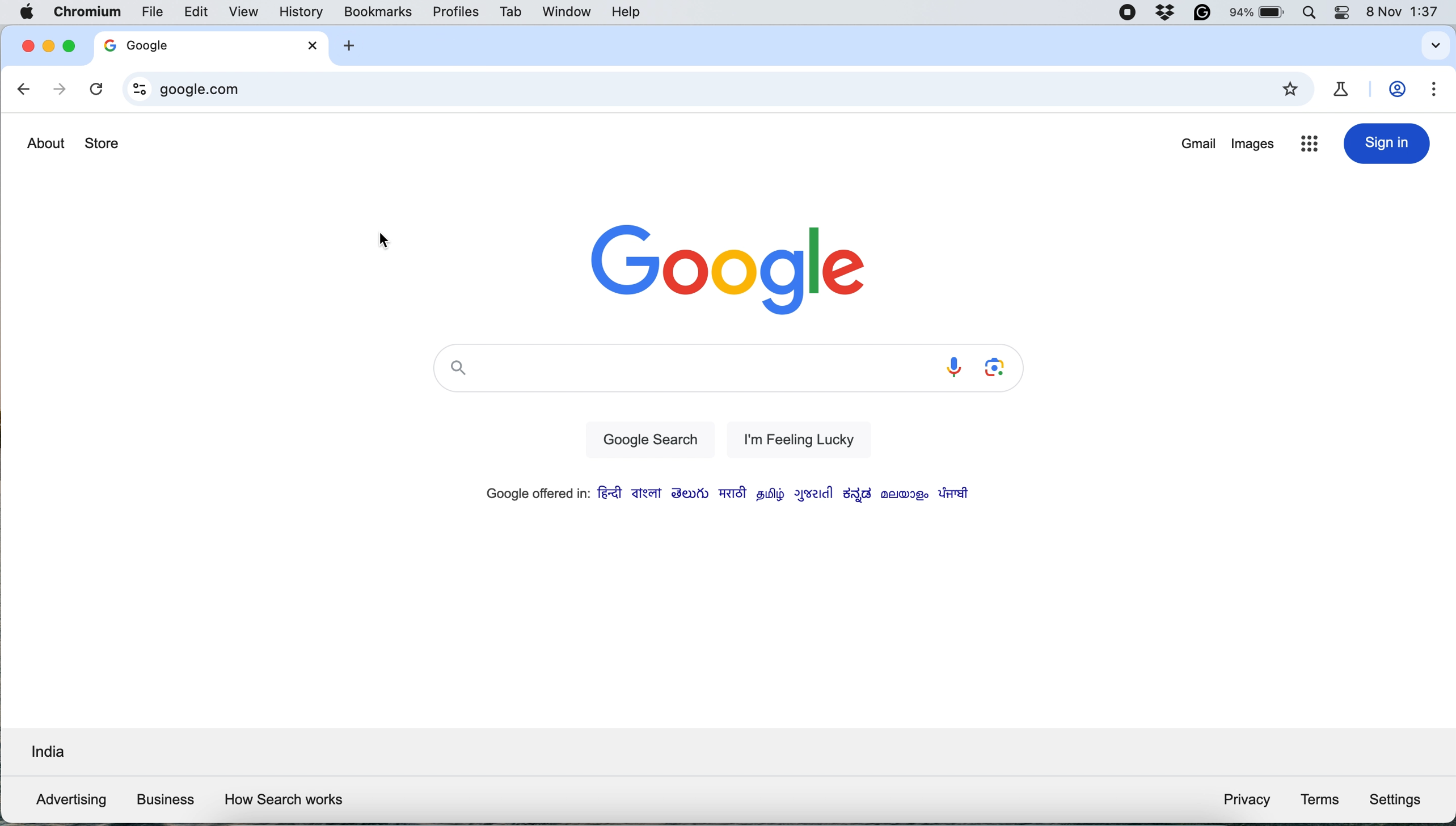 The image size is (1456, 826). Describe the element at coordinates (153, 11) in the screenshot. I see `file` at that location.